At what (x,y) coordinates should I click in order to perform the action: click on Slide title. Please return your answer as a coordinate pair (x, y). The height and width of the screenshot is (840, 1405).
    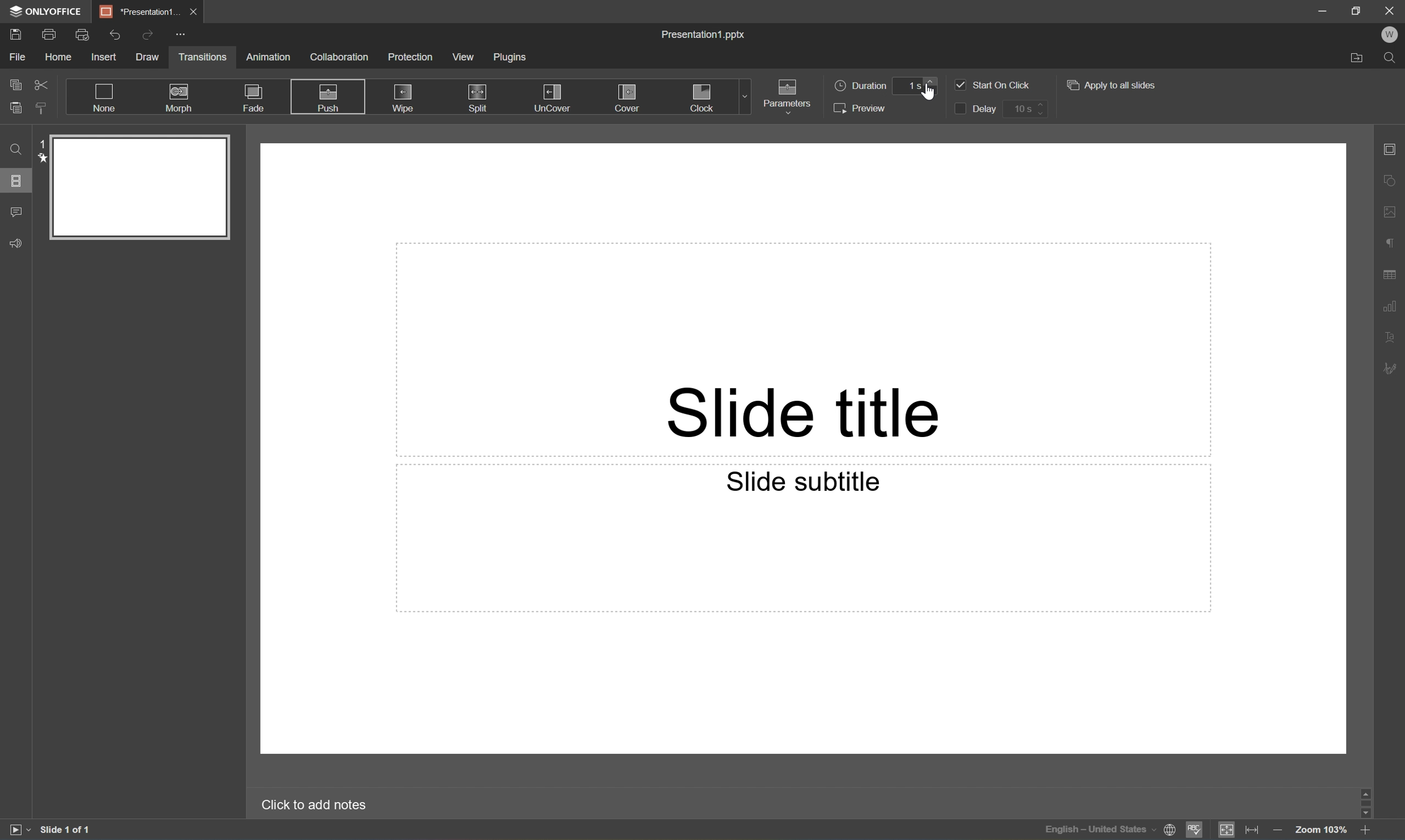
    Looking at the image, I should click on (804, 412).